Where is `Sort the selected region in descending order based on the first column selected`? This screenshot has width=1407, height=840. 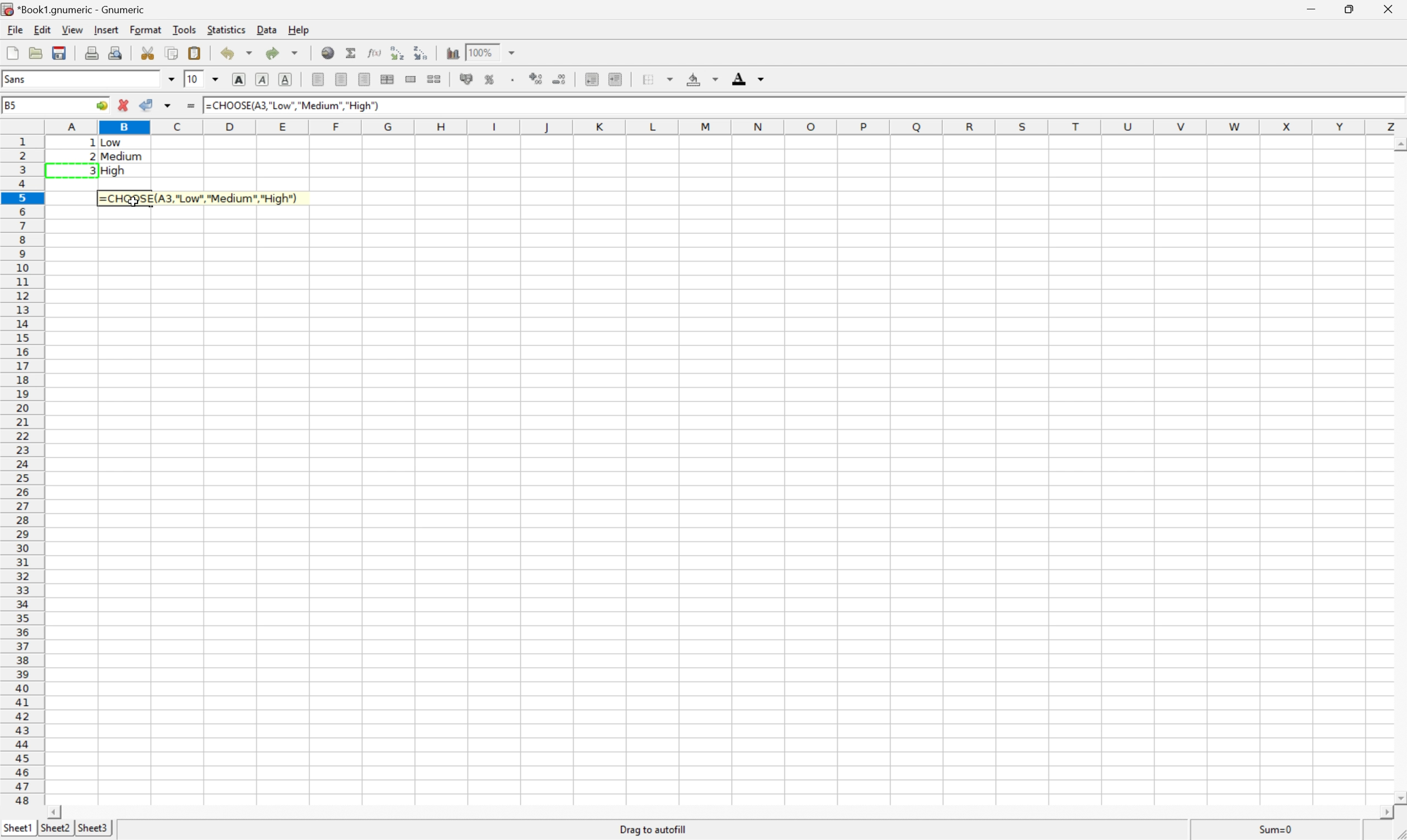 Sort the selected region in descending order based on the first column selected is located at coordinates (423, 54).